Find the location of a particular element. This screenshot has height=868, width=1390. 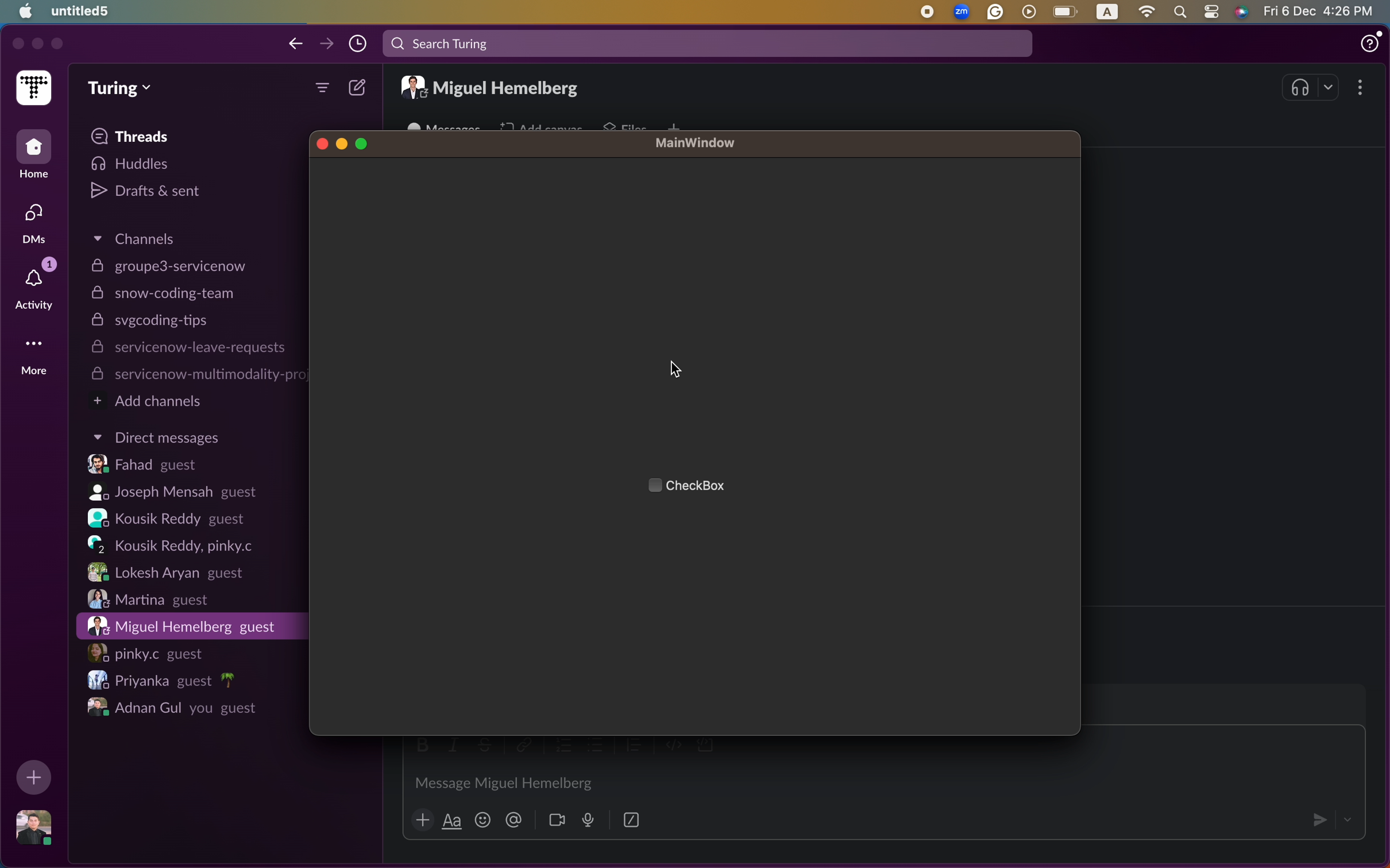

Kousik is located at coordinates (172, 519).